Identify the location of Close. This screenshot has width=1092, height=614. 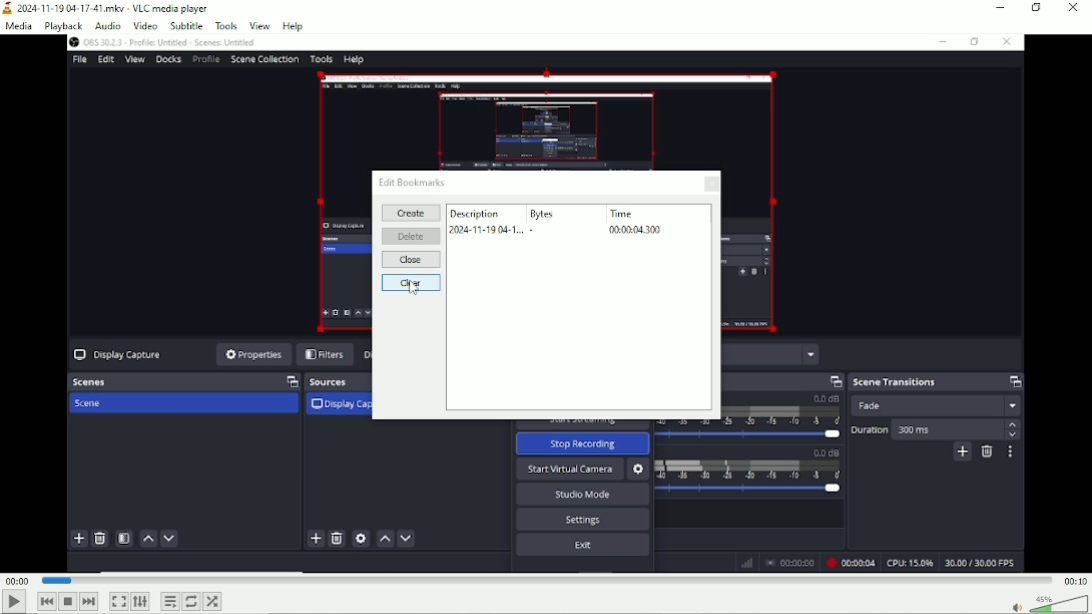
(709, 185).